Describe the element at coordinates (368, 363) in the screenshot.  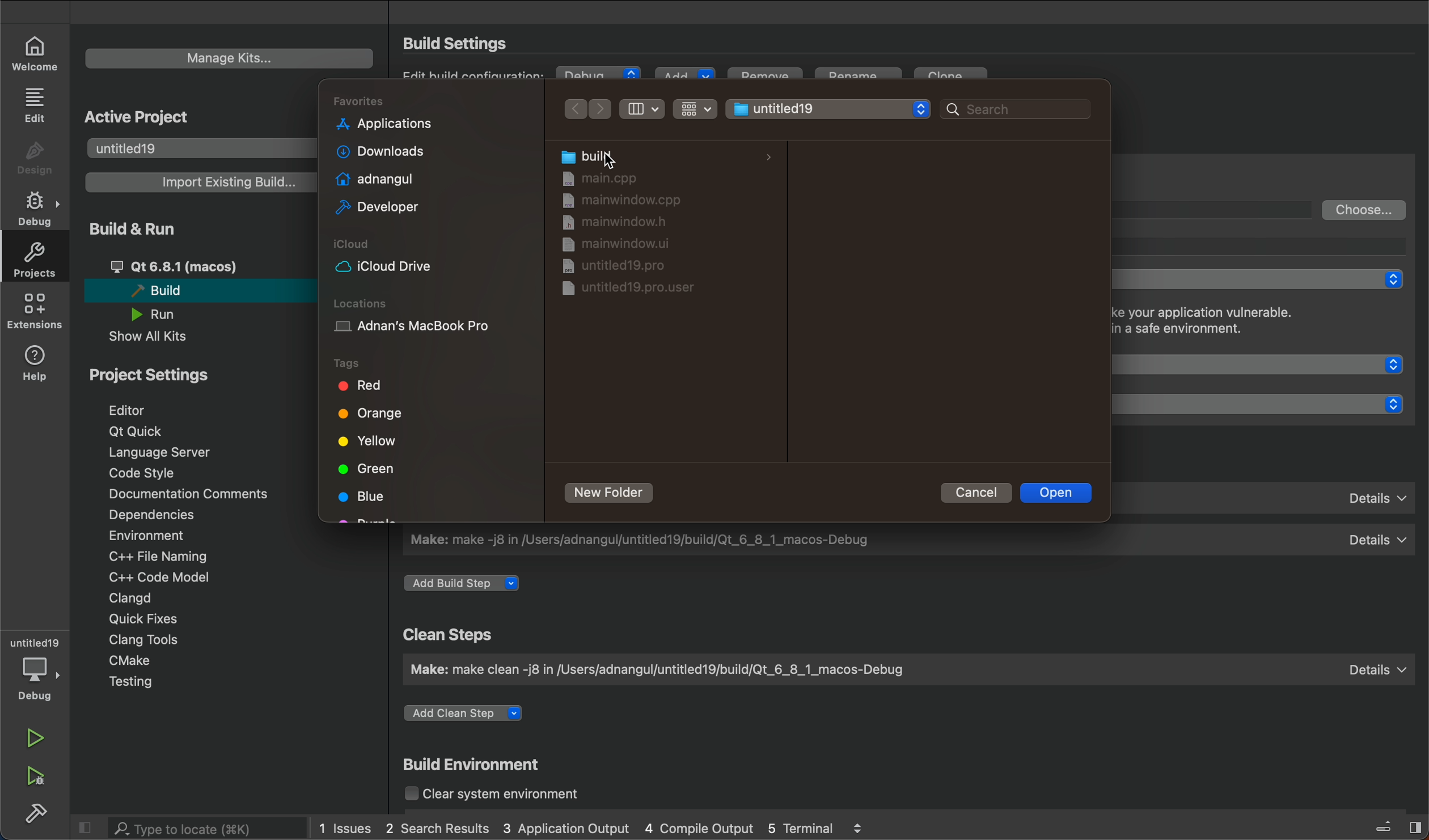
I see `tags` at that location.